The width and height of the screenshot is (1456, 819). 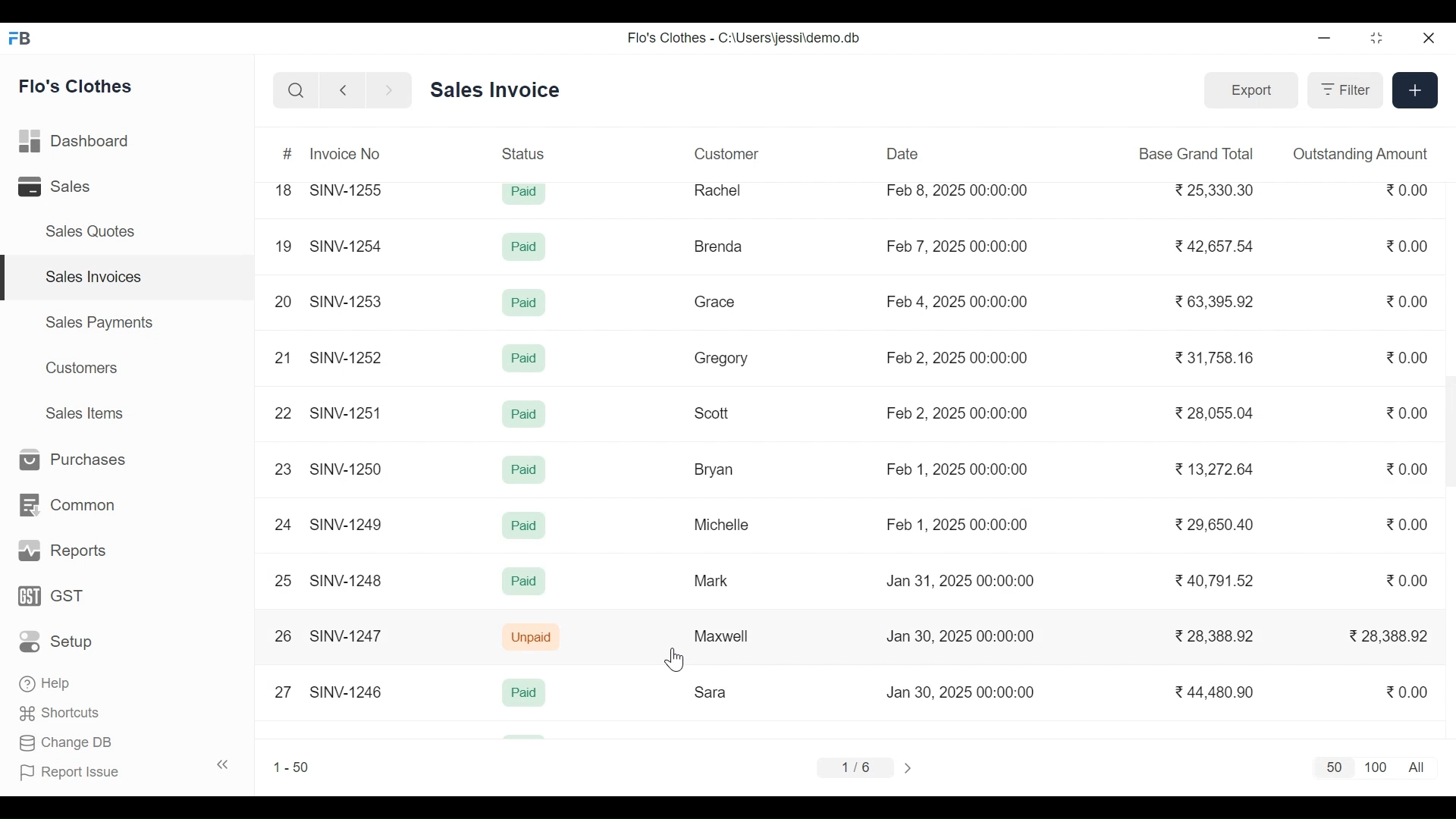 What do you see at coordinates (1410, 414) in the screenshot?
I see `0.00` at bounding box center [1410, 414].